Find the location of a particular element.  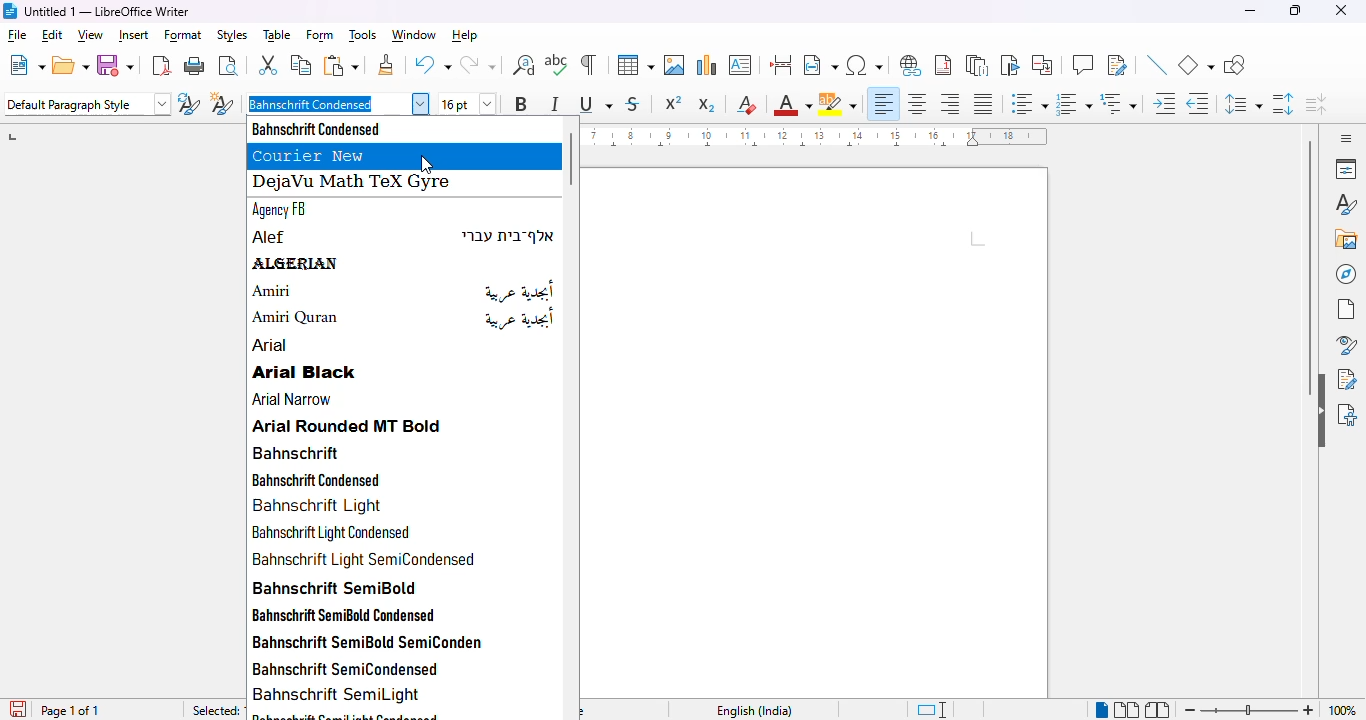

toggle print preview is located at coordinates (229, 65).